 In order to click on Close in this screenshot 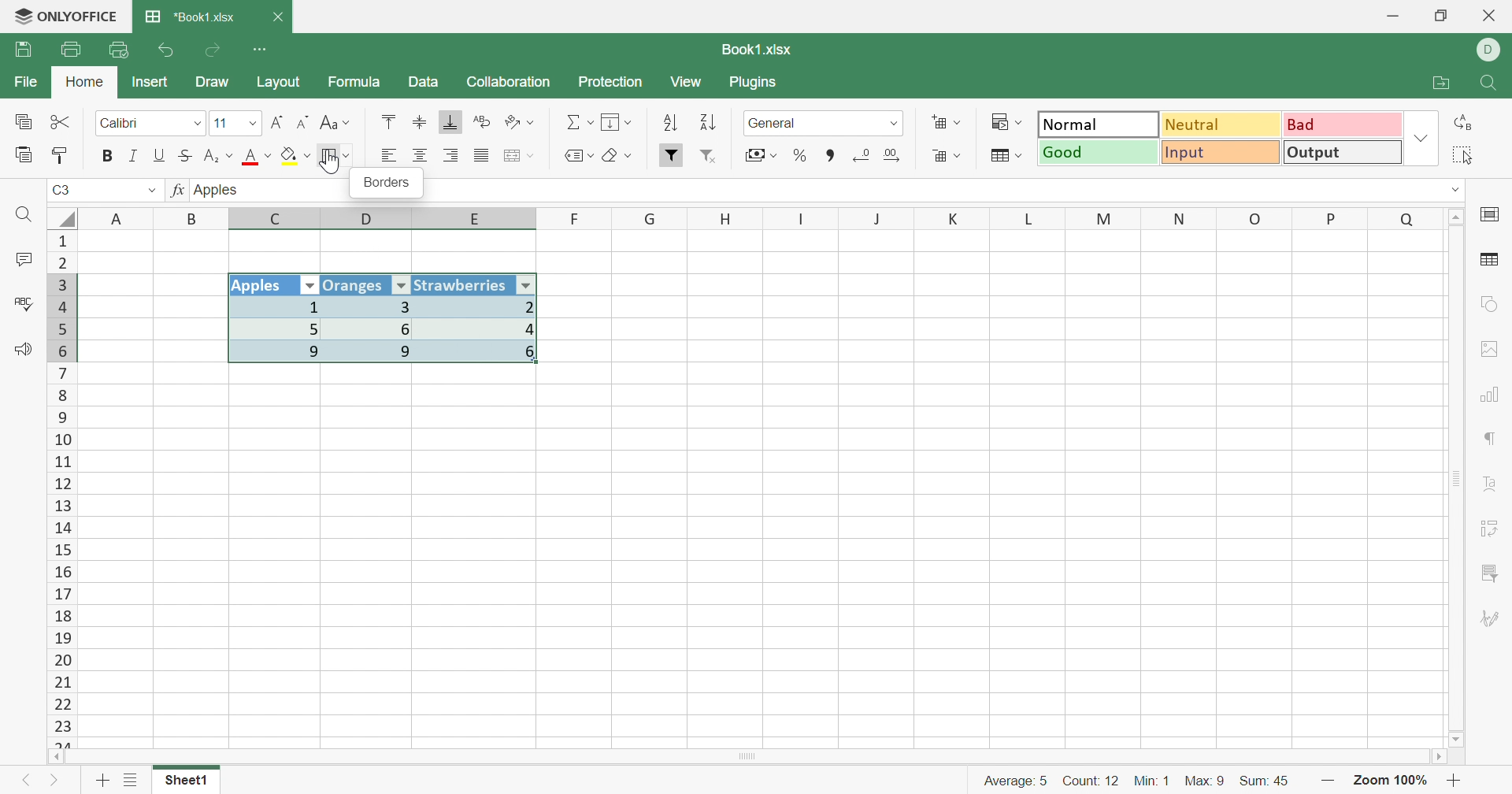, I will do `click(1490, 17)`.